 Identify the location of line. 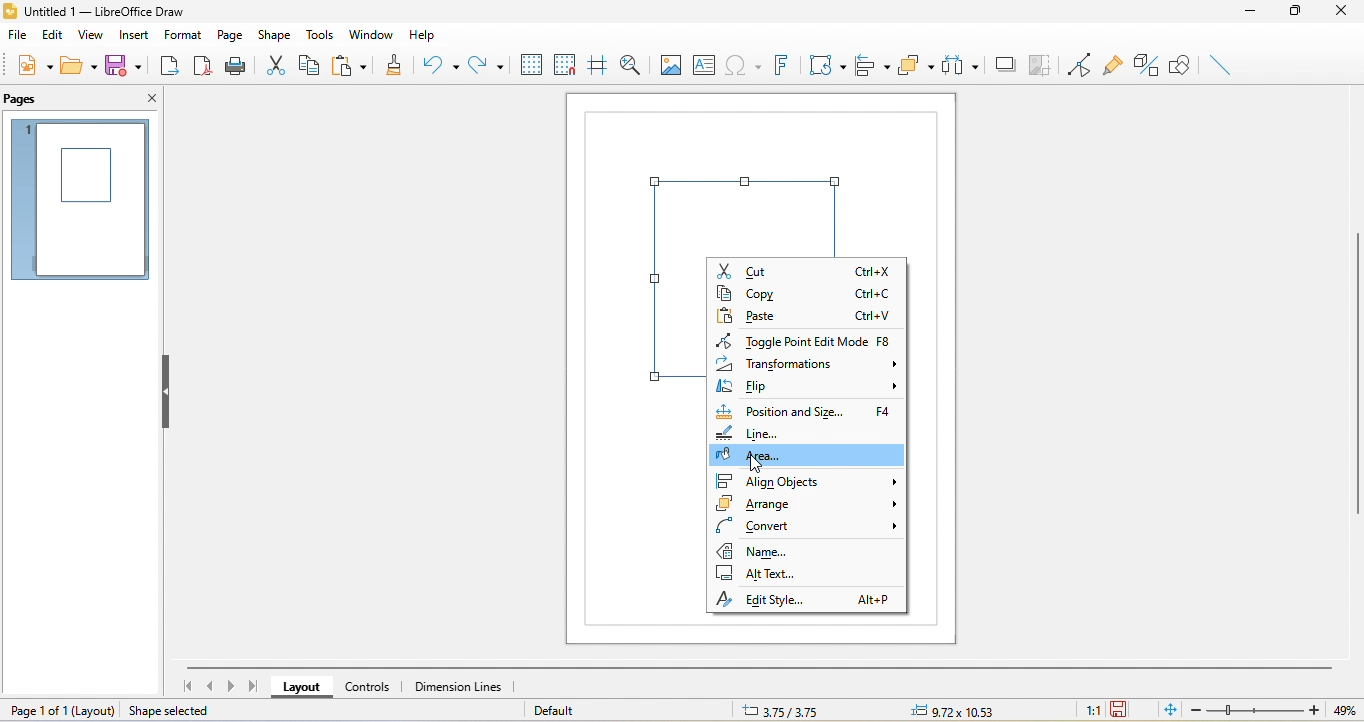
(758, 433).